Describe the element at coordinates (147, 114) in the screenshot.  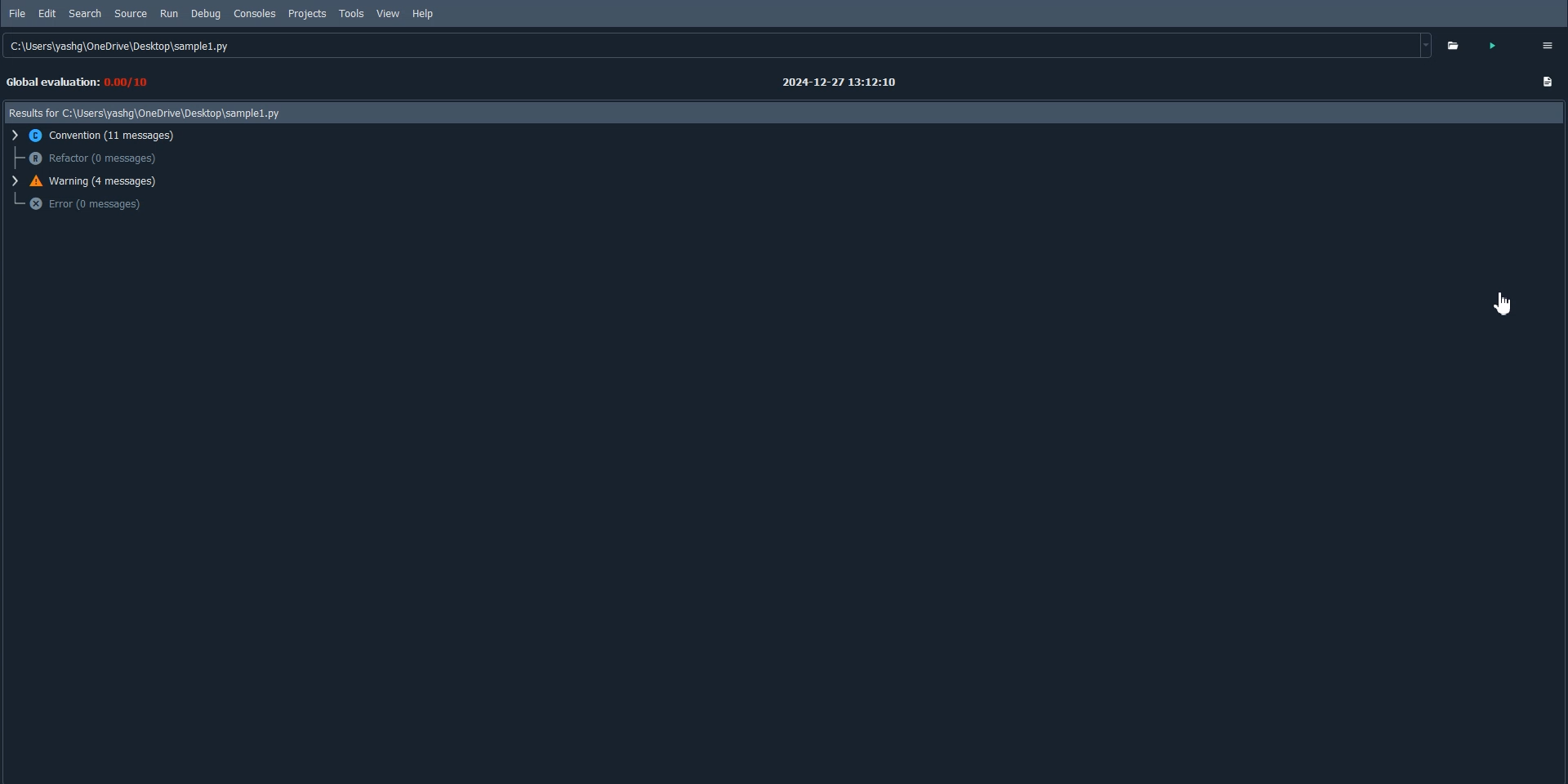
I see `Results for C:\Users\yashg\OneDrive\Desktop\samplel.py` at that location.